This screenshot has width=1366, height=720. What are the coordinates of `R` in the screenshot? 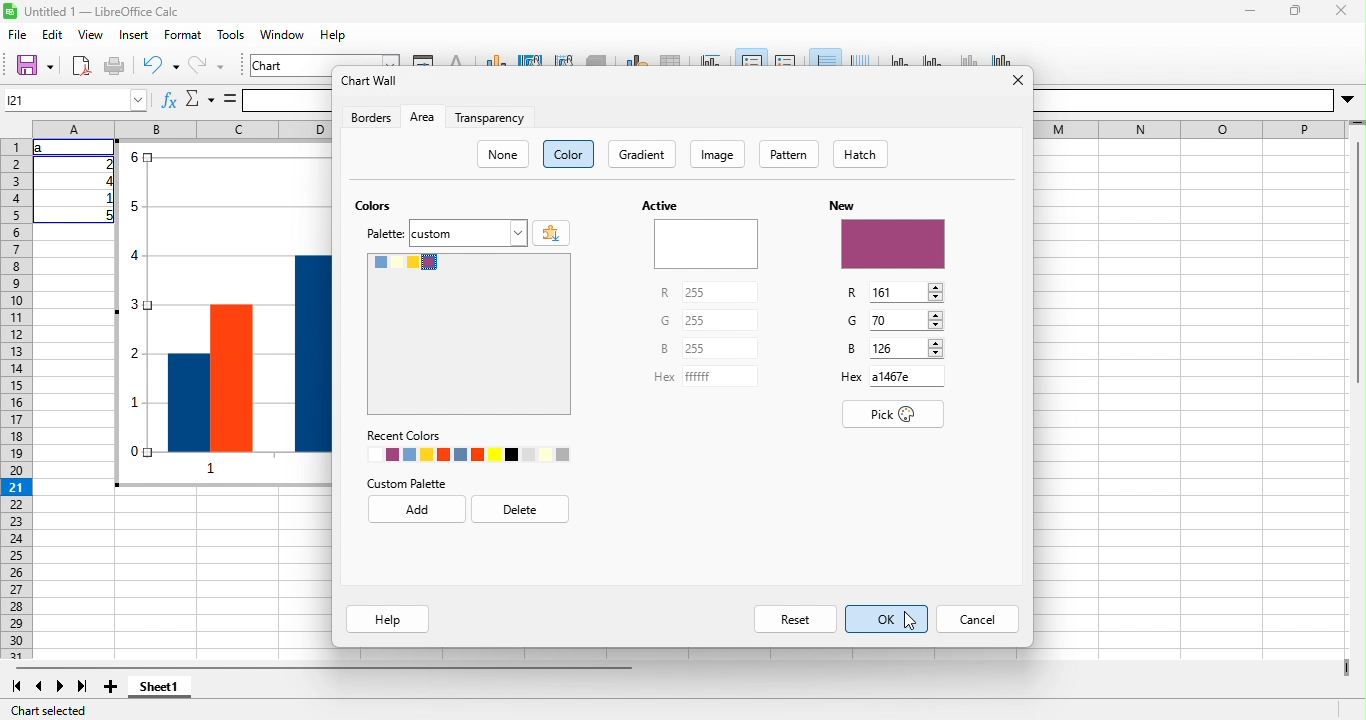 It's located at (665, 292).